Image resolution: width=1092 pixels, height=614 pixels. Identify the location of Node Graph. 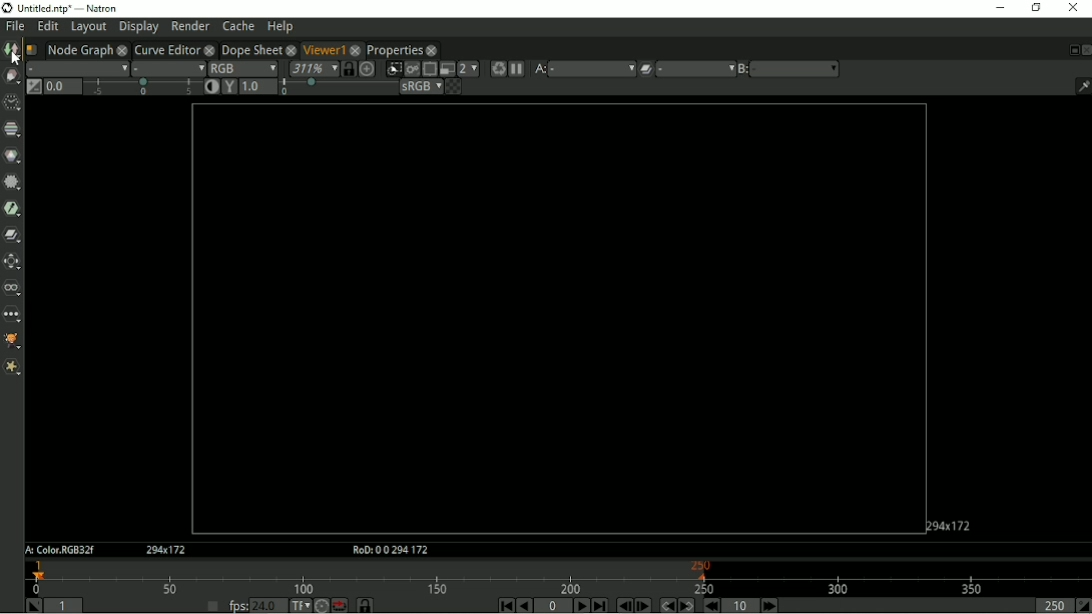
(79, 49).